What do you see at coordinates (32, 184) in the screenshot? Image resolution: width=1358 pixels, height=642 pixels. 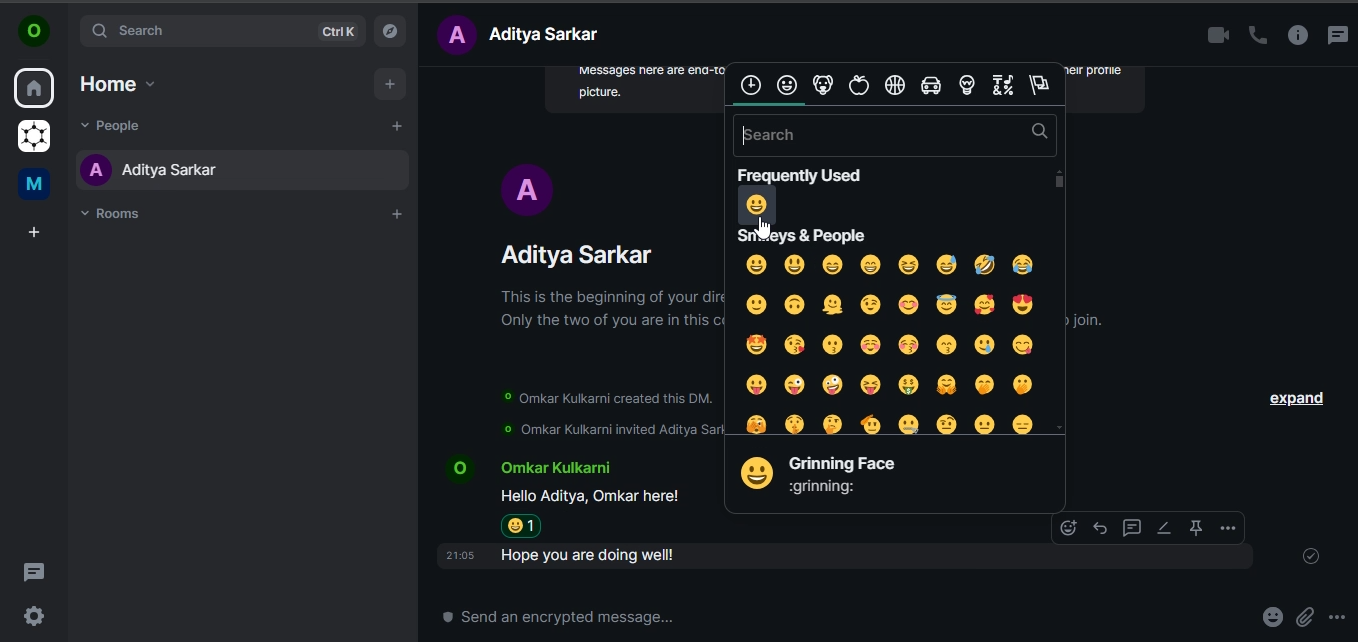 I see `me` at bounding box center [32, 184].